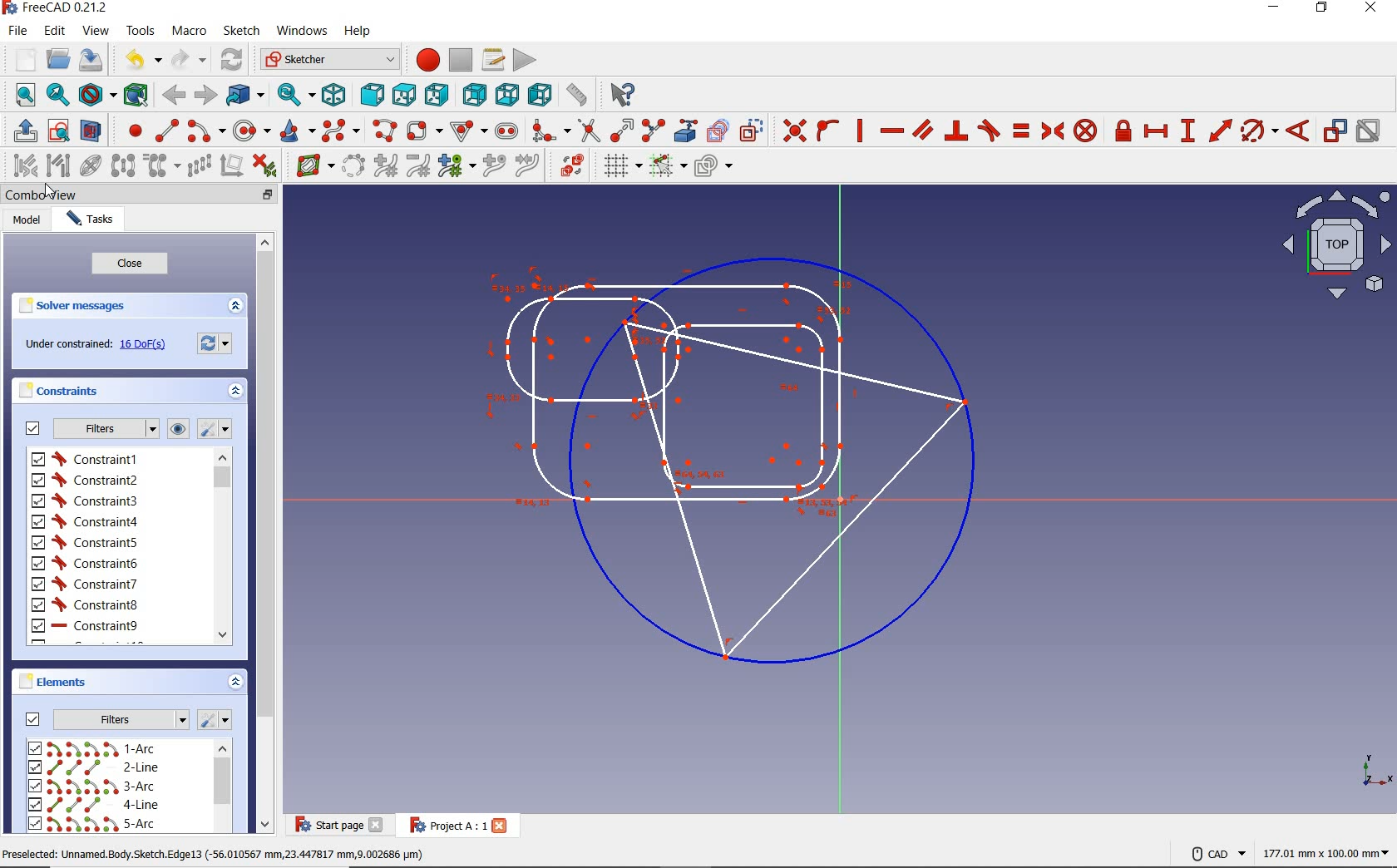  I want to click on bottom, so click(506, 95).